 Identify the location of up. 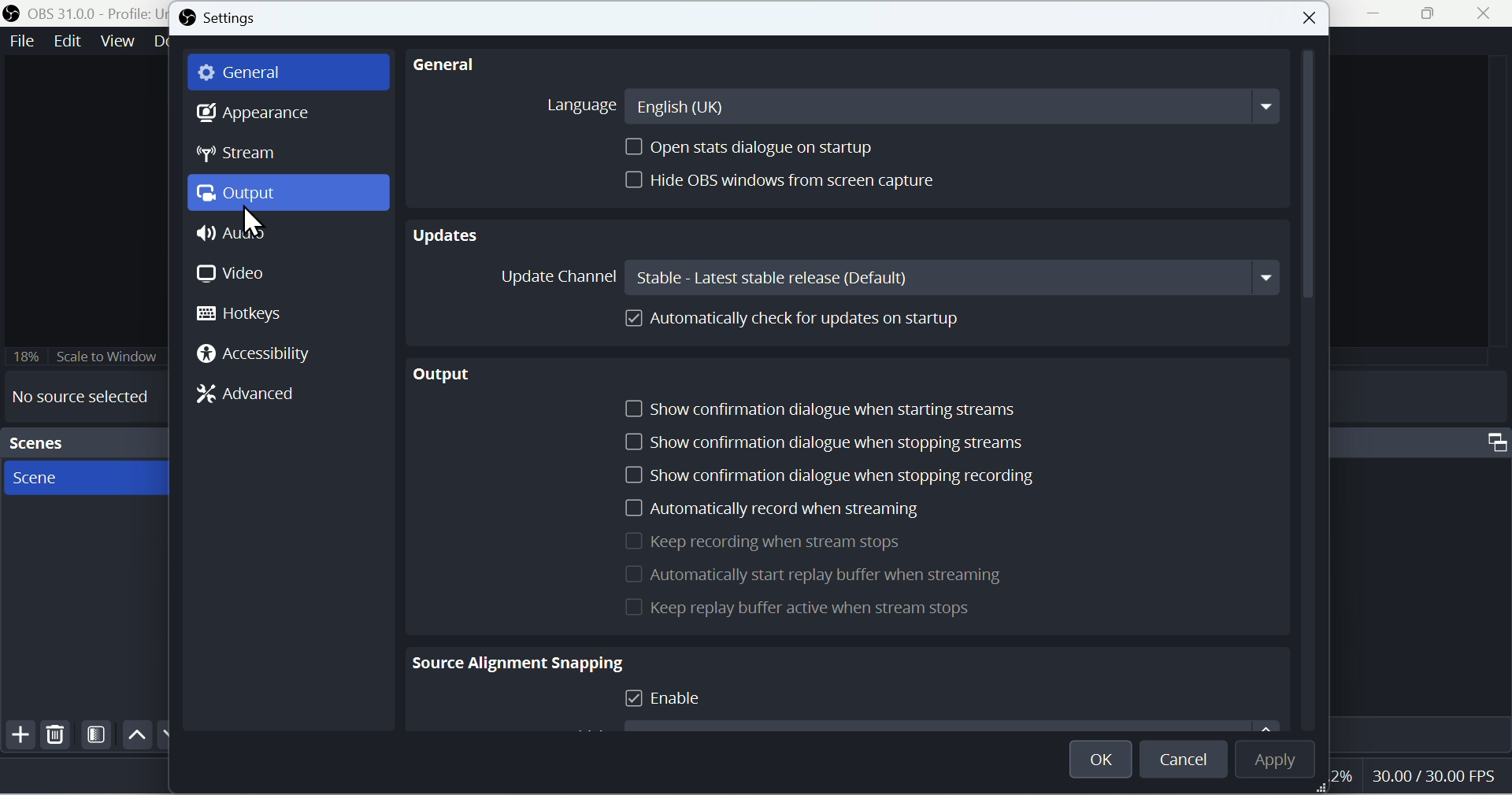
(135, 734).